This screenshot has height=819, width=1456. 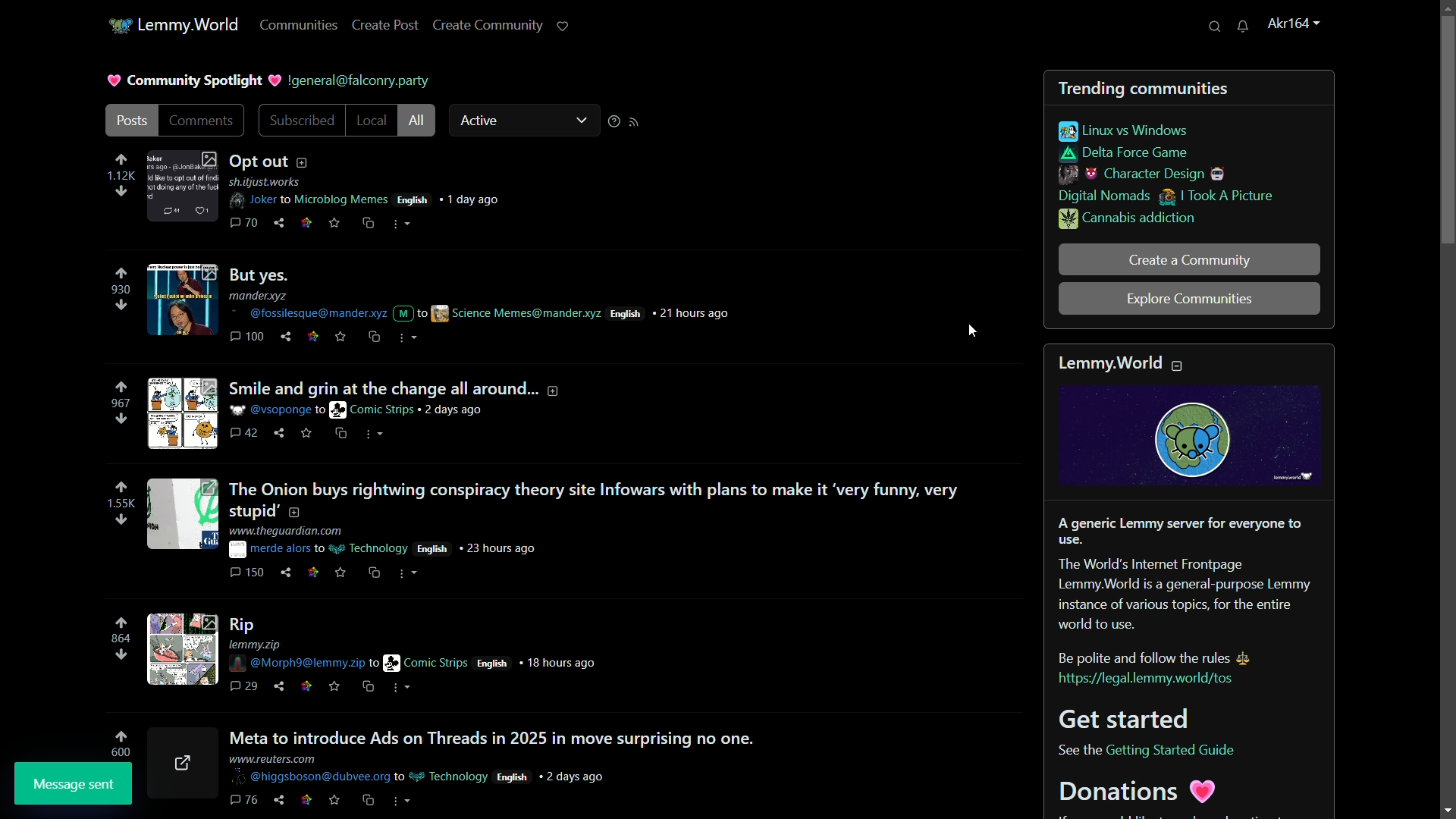 What do you see at coordinates (370, 802) in the screenshot?
I see `cs` at bounding box center [370, 802].